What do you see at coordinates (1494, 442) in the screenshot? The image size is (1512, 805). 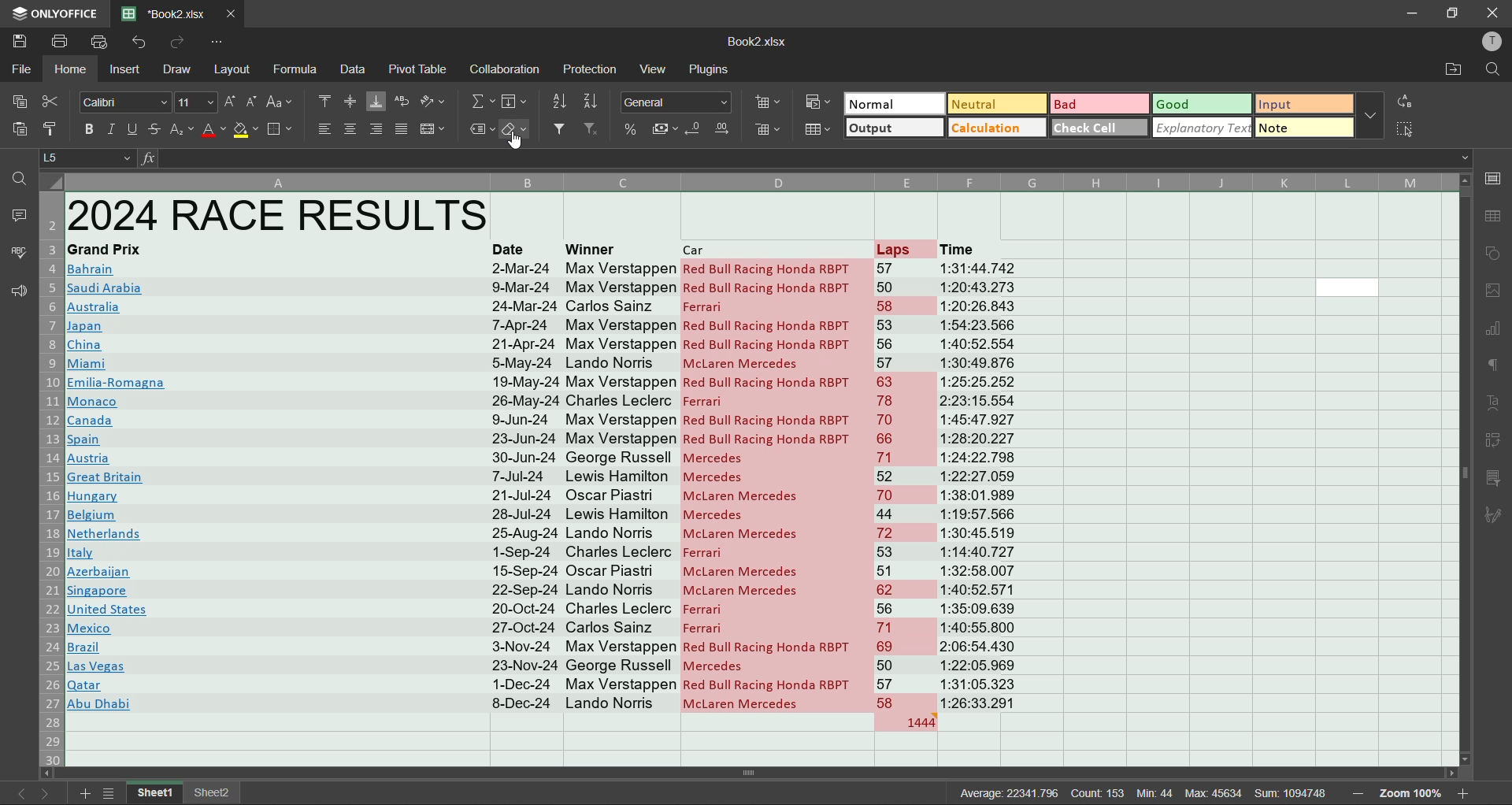 I see `pivot table` at bounding box center [1494, 442].